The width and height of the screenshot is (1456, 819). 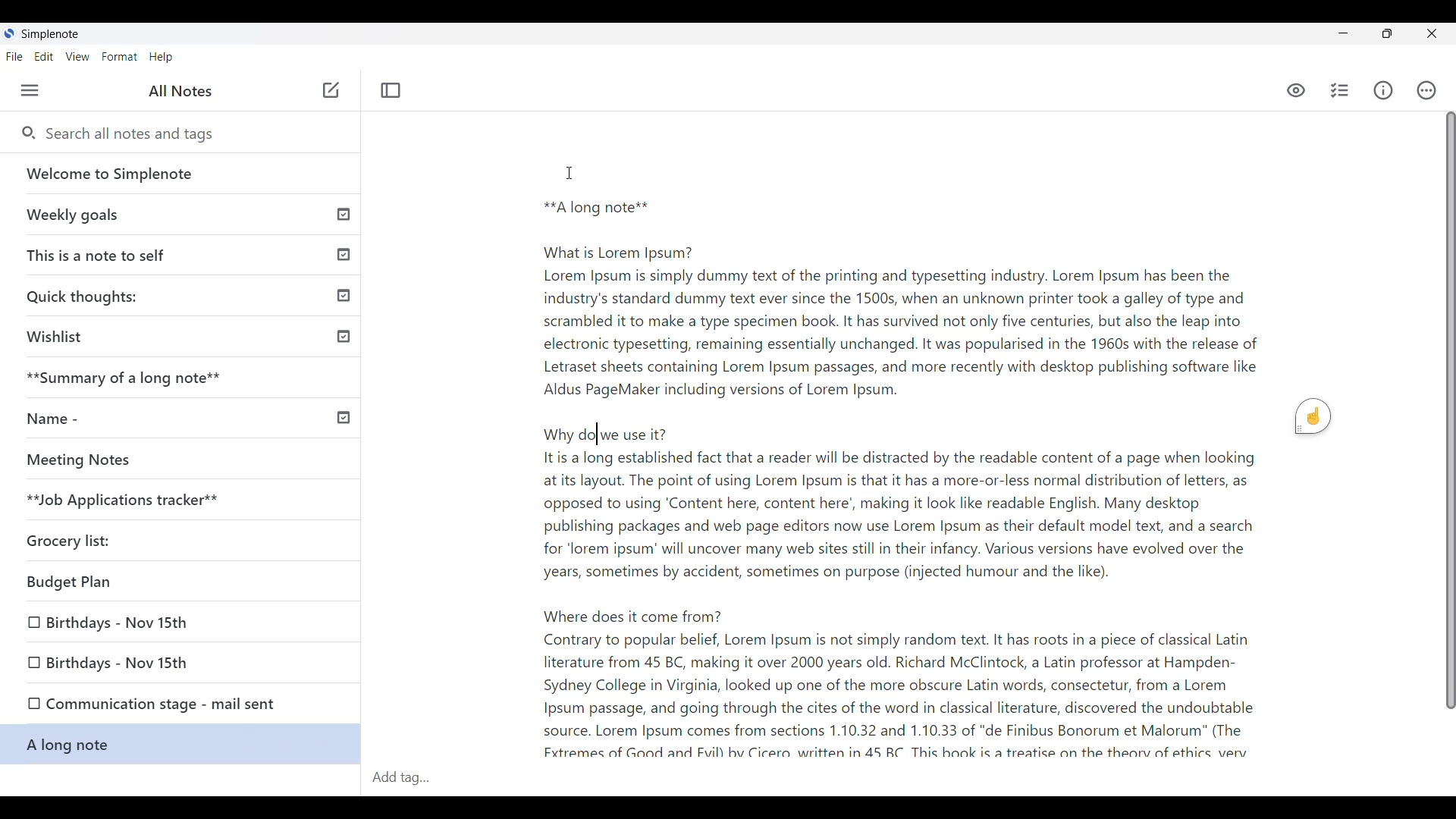 I want to click on Birthdays-Nov 15th, so click(x=163, y=661).